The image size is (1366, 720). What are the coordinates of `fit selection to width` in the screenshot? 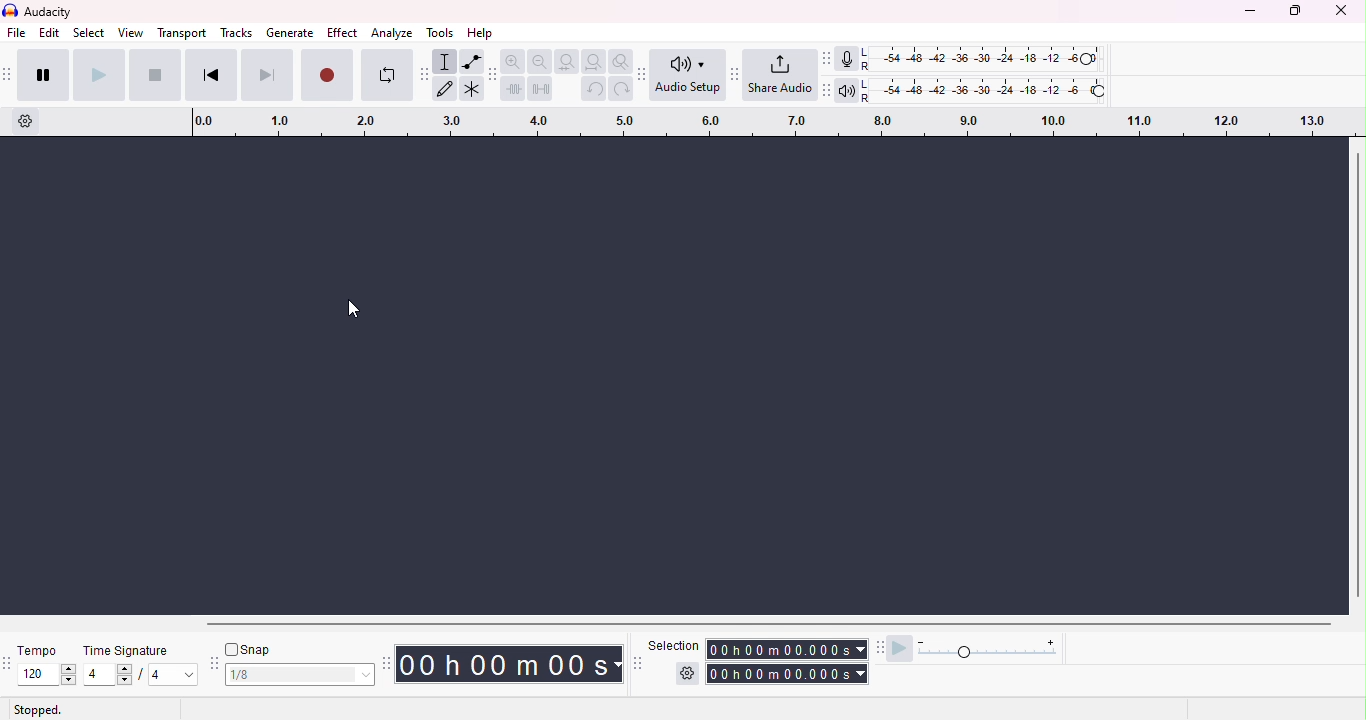 It's located at (568, 62).